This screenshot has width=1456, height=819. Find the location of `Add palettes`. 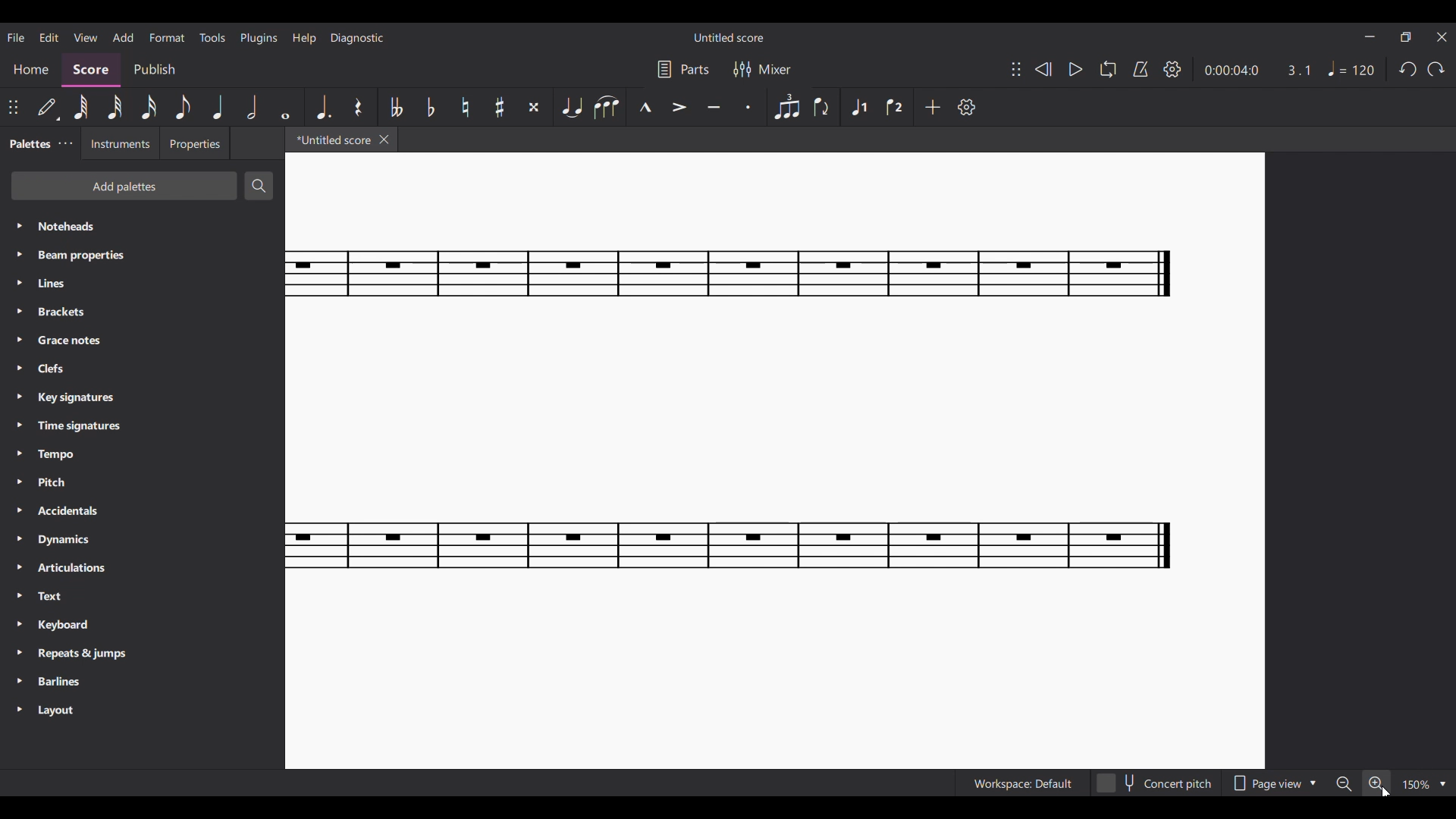

Add palettes is located at coordinates (125, 186).